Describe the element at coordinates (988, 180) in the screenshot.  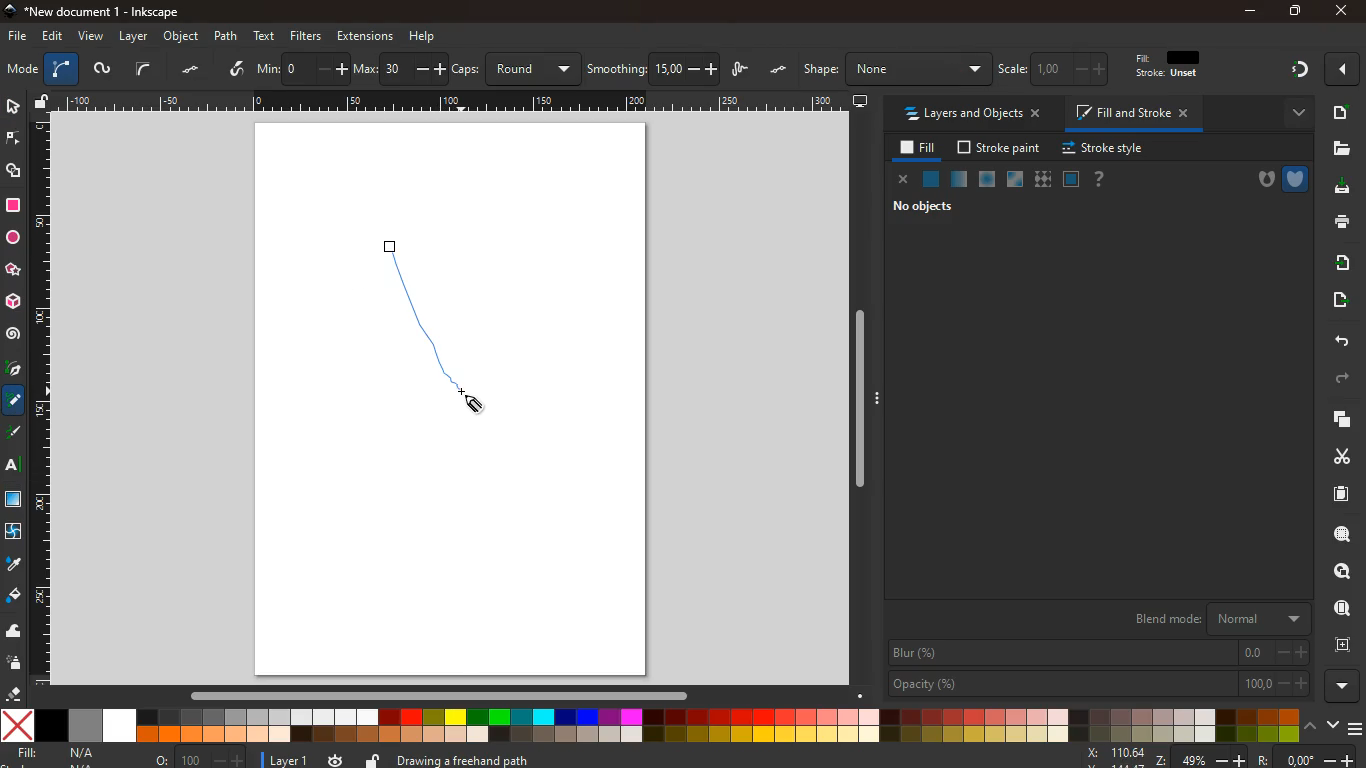
I see `opacity` at that location.